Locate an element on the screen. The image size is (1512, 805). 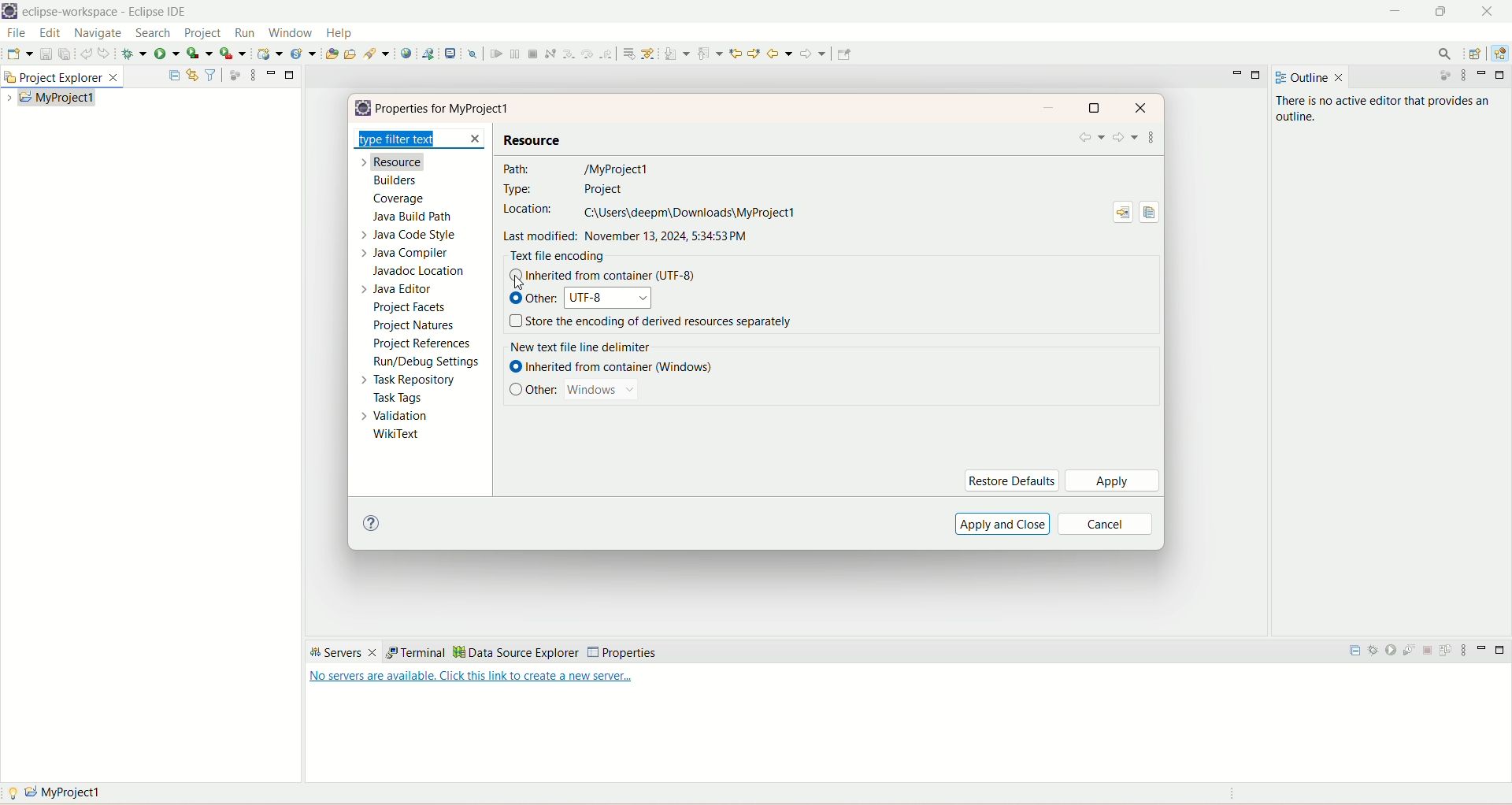
skip all breakpoints is located at coordinates (472, 54).